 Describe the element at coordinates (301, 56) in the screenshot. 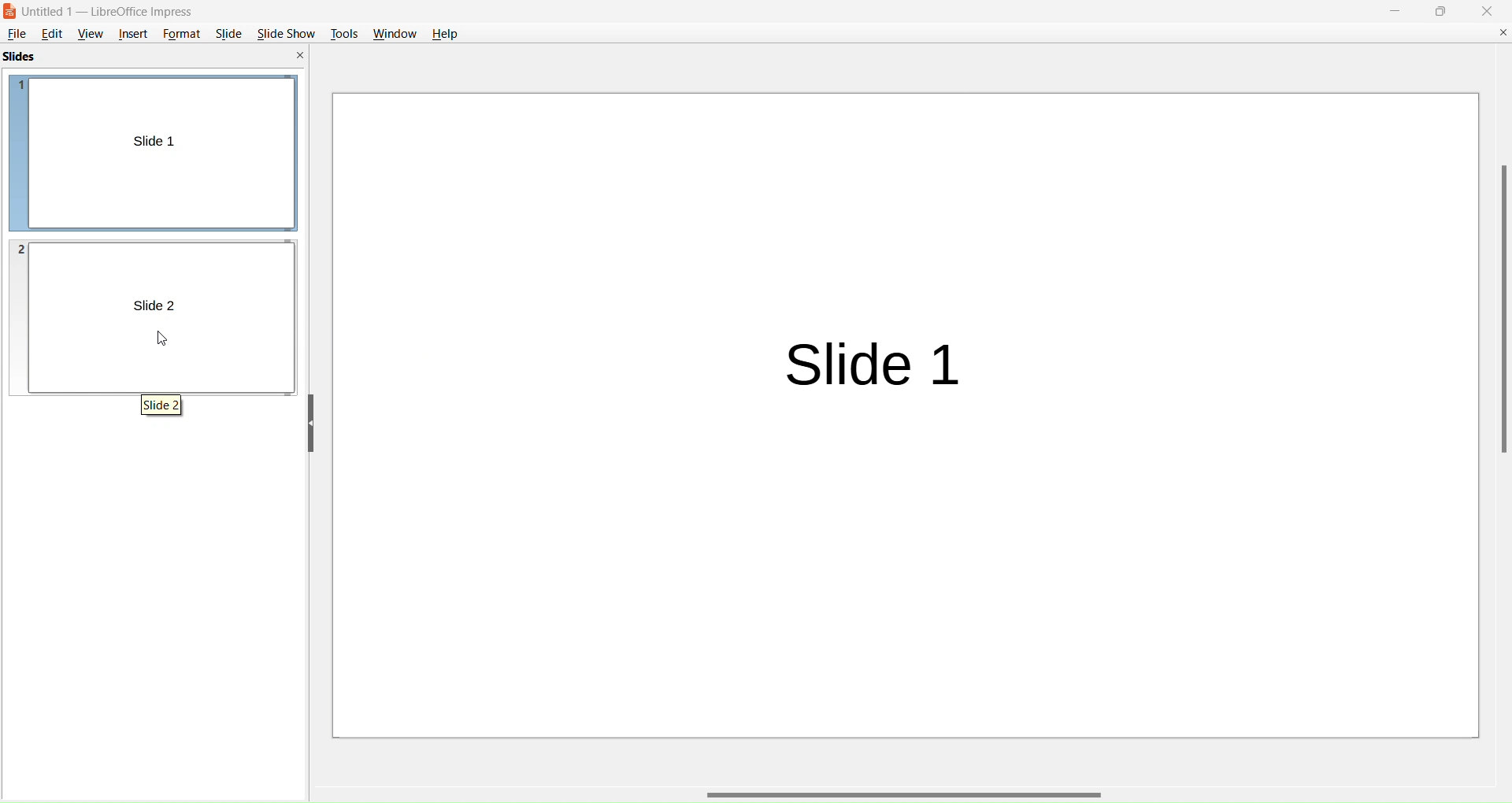

I see `close pane` at that location.